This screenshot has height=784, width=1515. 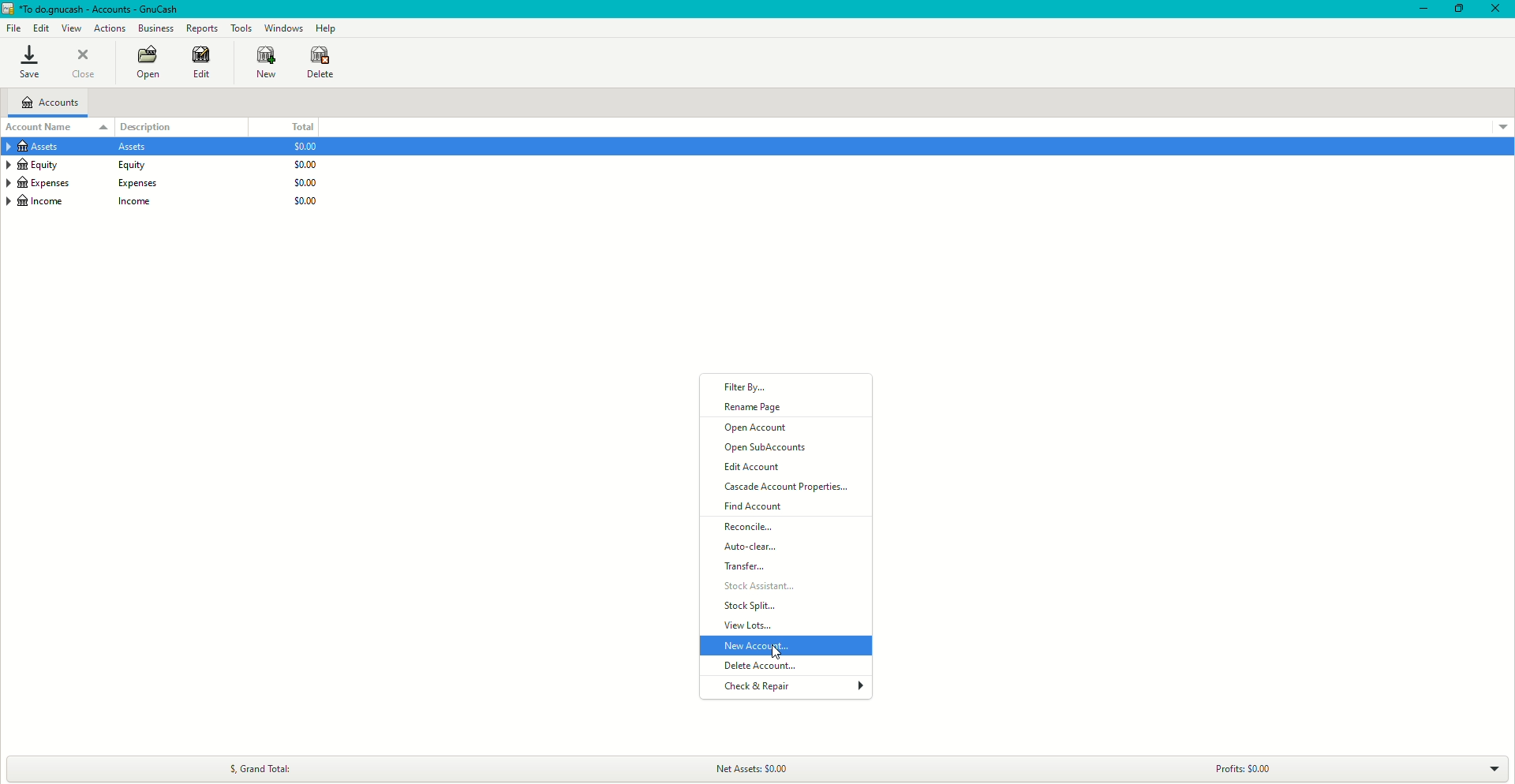 What do you see at coordinates (110, 28) in the screenshot?
I see `Actions` at bounding box center [110, 28].